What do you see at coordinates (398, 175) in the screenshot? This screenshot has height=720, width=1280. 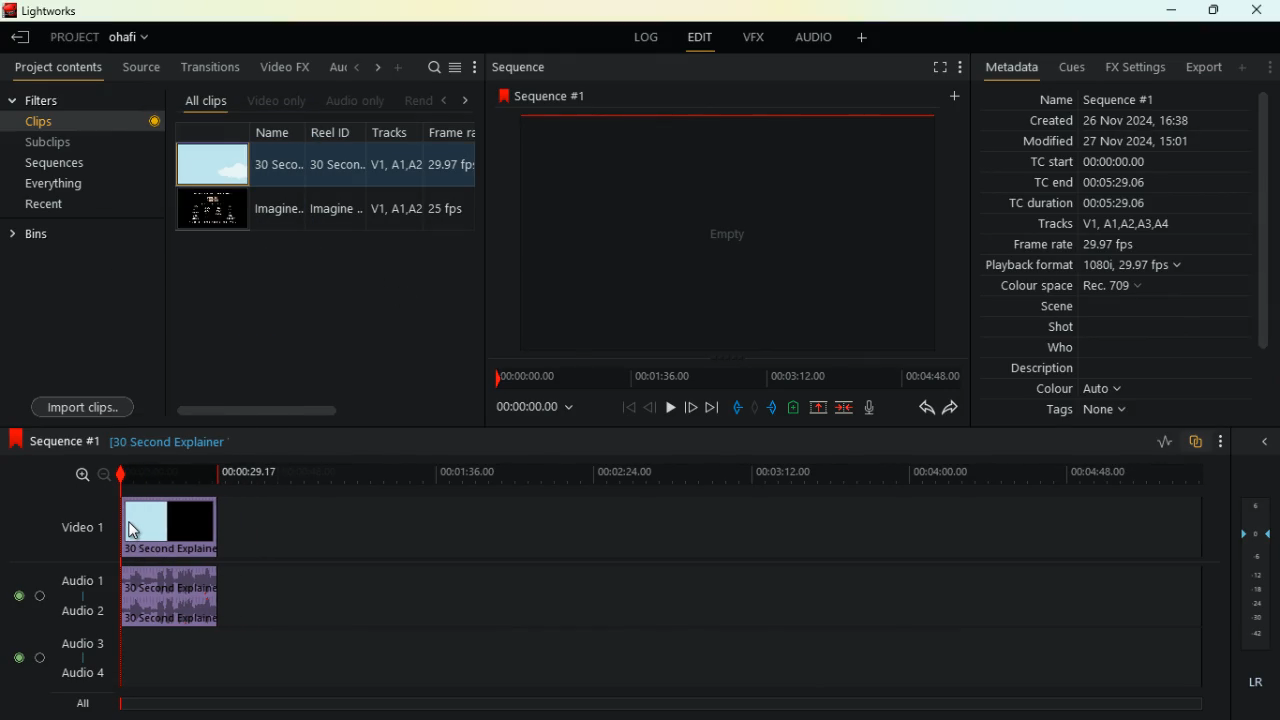 I see `tracks` at bounding box center [398, 175].